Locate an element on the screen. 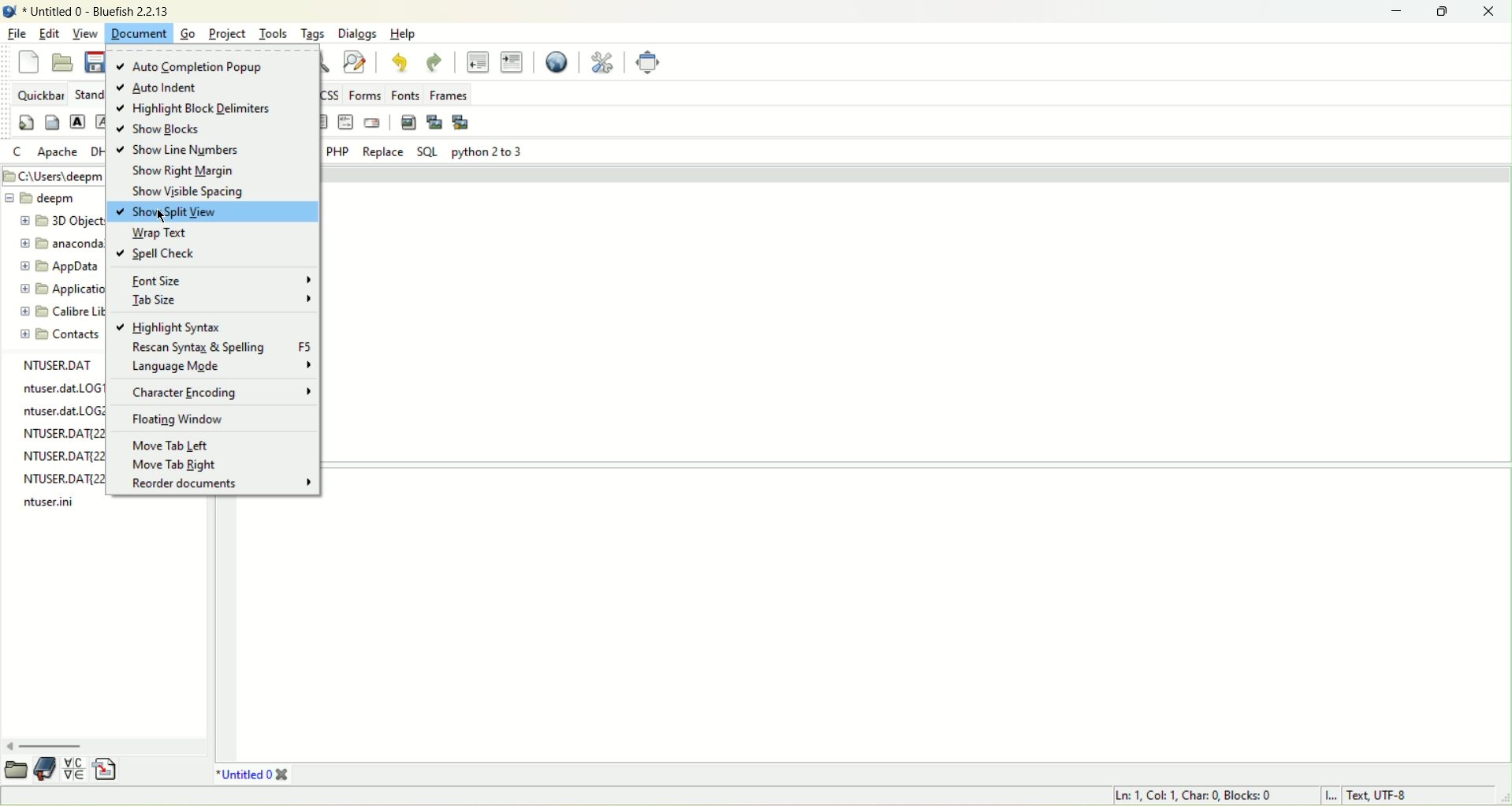  floating window is located at coordinates (176, 419).